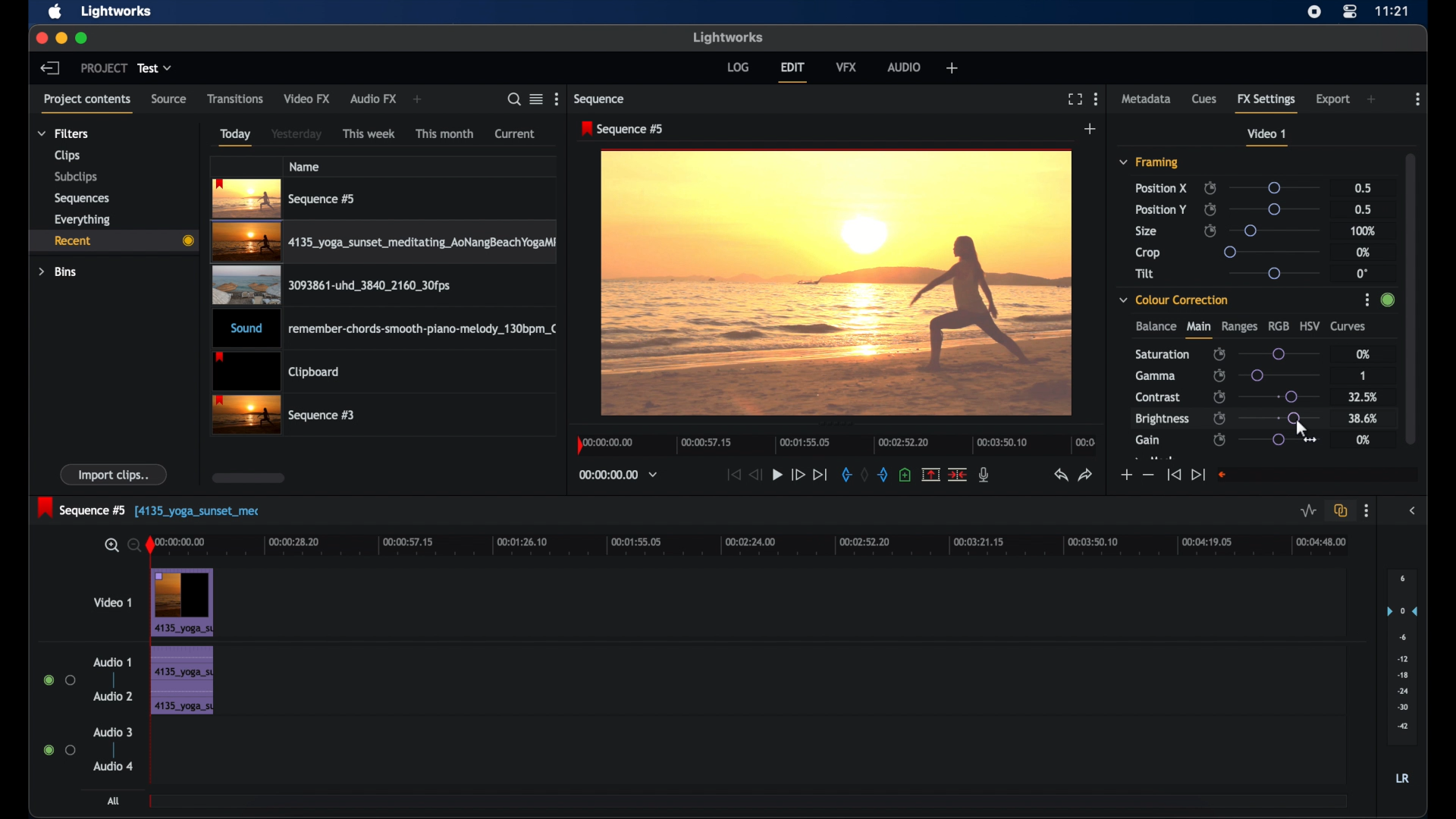 The image size is (1456, 819). What do you see at coordinates (1174, 300) in the screenshot?
I see `color correction` at bounding box center [1174, 300].